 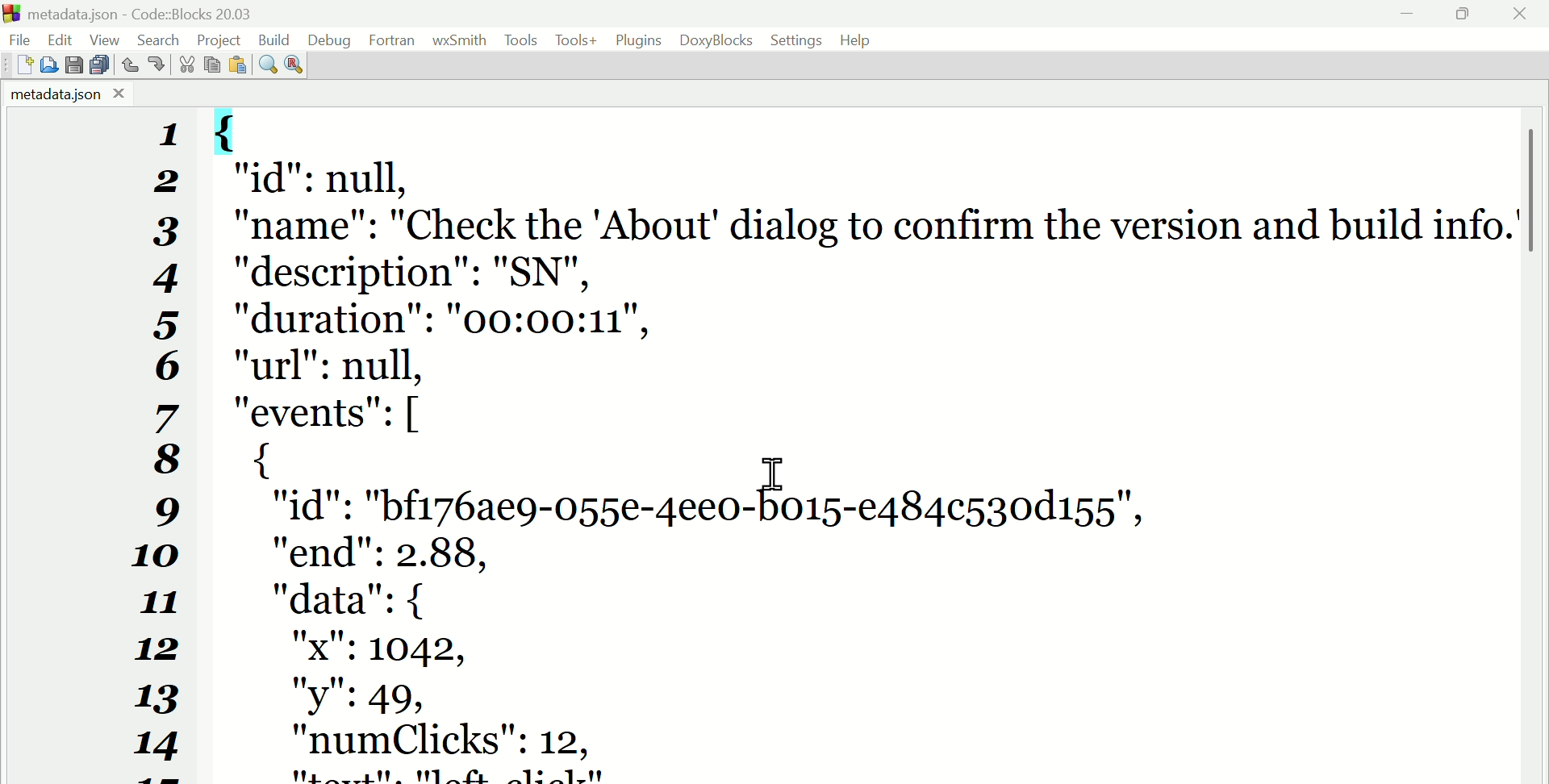 What do you see at coordinates (294, 63) in the screenshot?
I see `Replace` at bounding box center [294, 63].